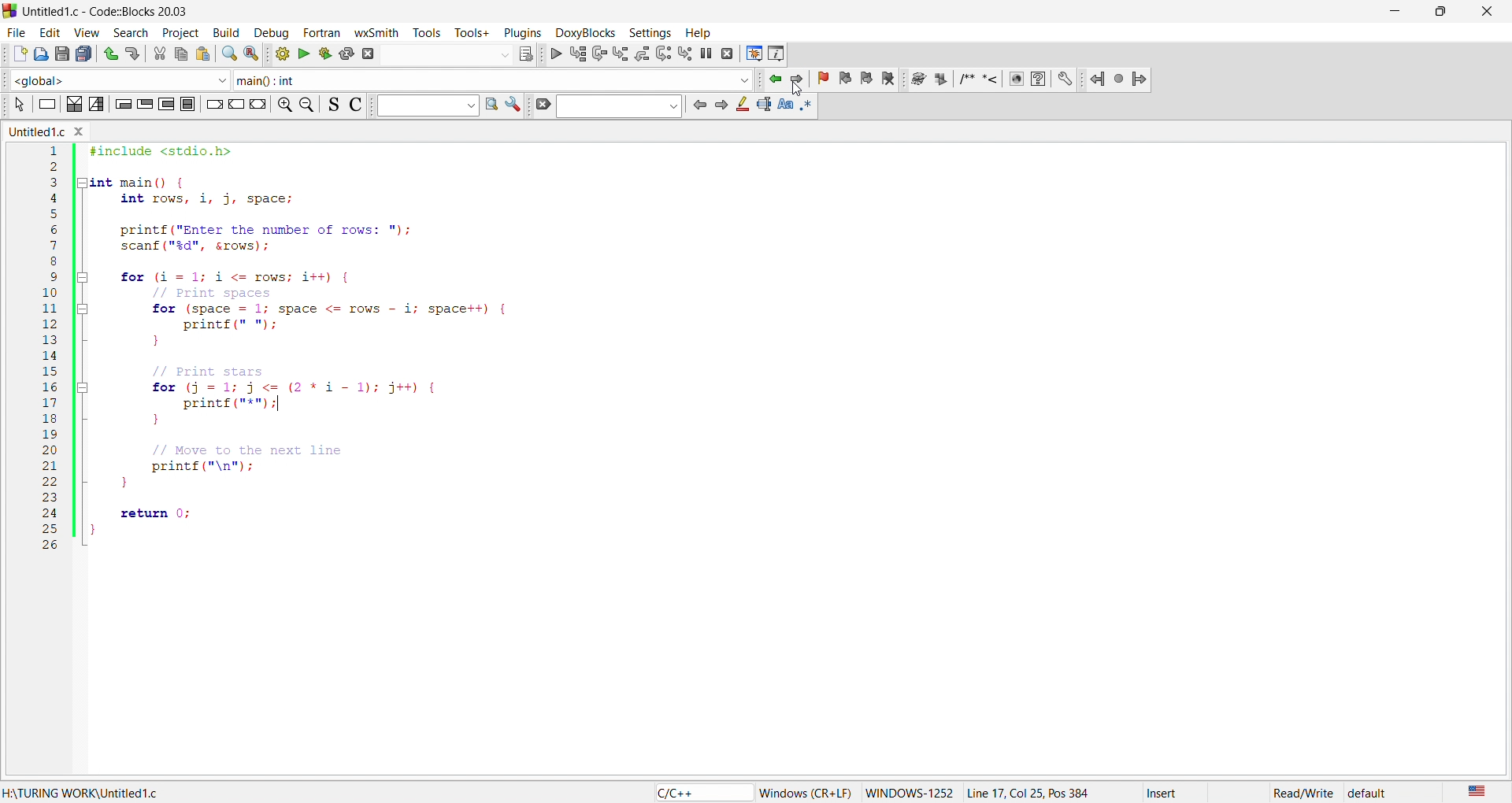 This screenshot has width=1512, height=803. I want to click on icon, so click(741, 105).